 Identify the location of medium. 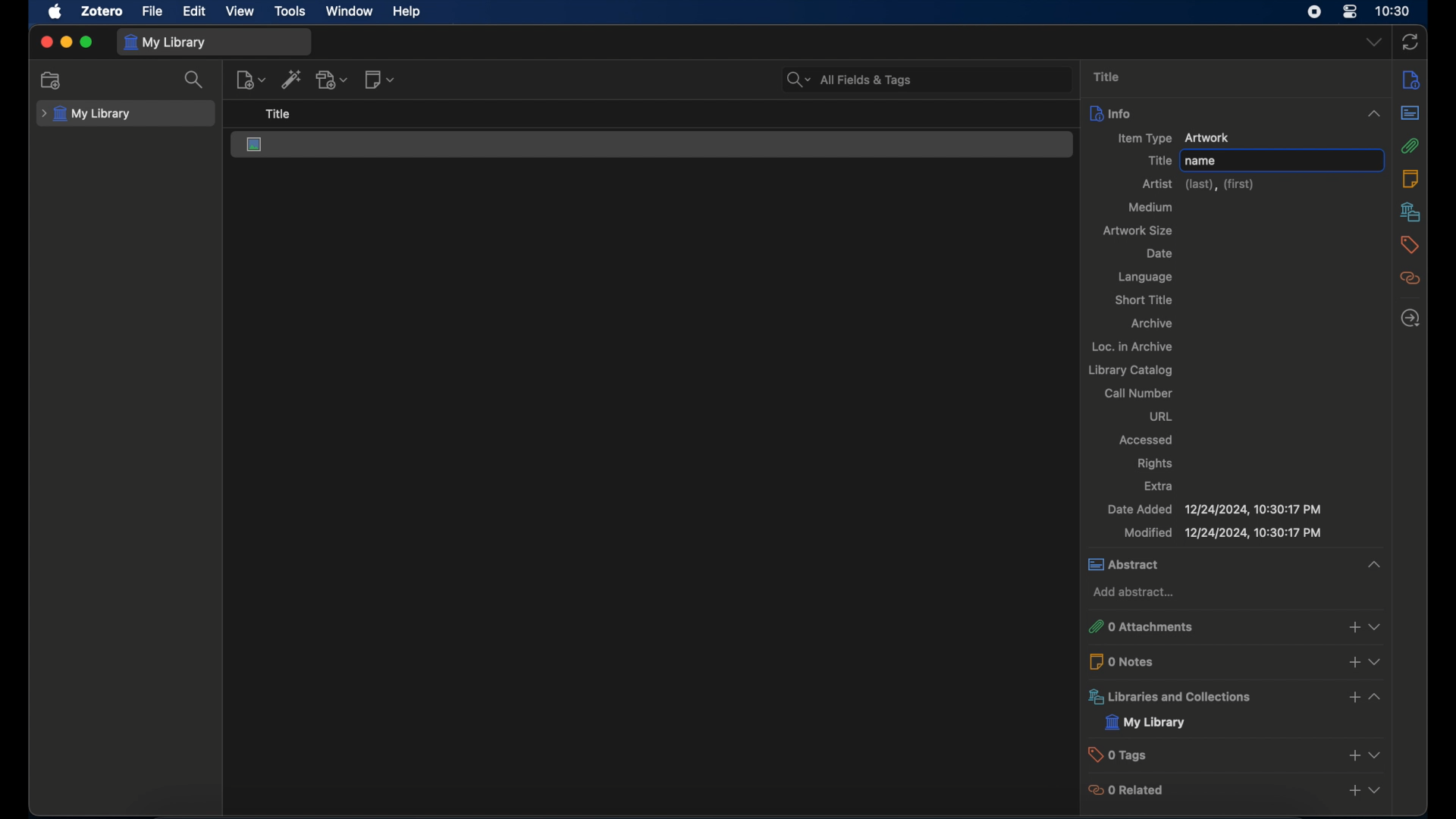
(1151, 206).